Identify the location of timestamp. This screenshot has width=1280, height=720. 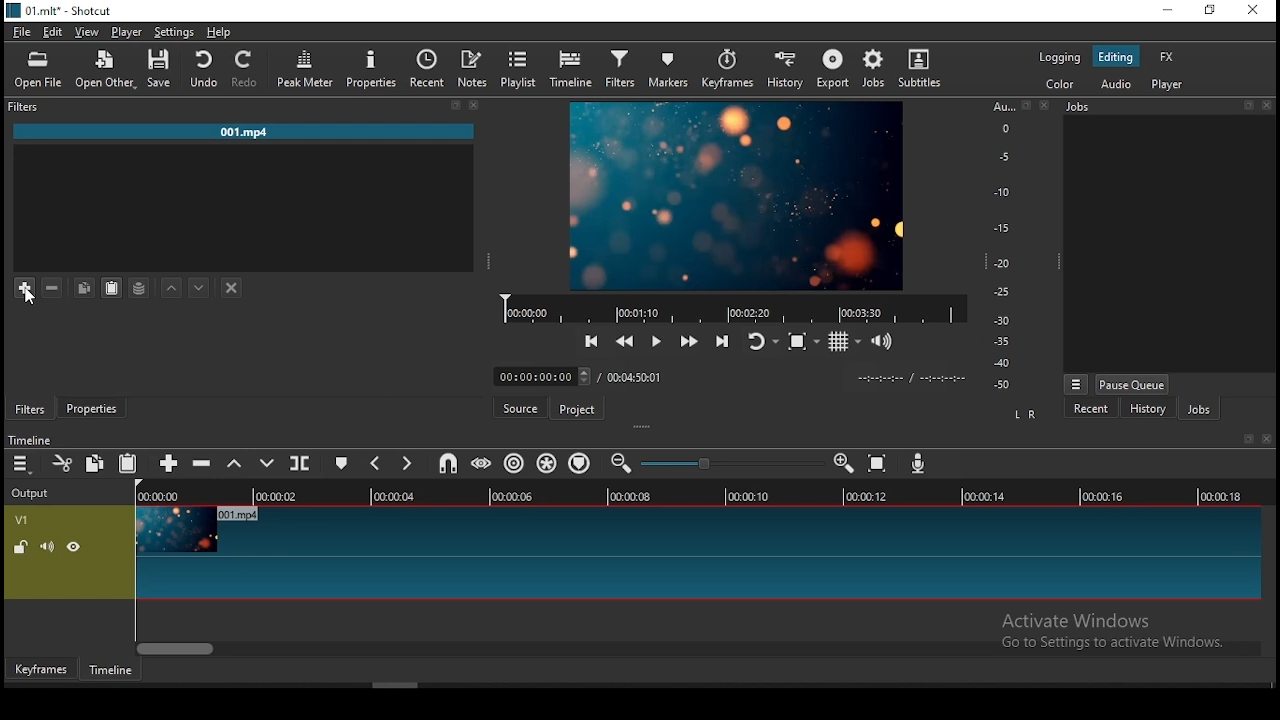
(911, 380).